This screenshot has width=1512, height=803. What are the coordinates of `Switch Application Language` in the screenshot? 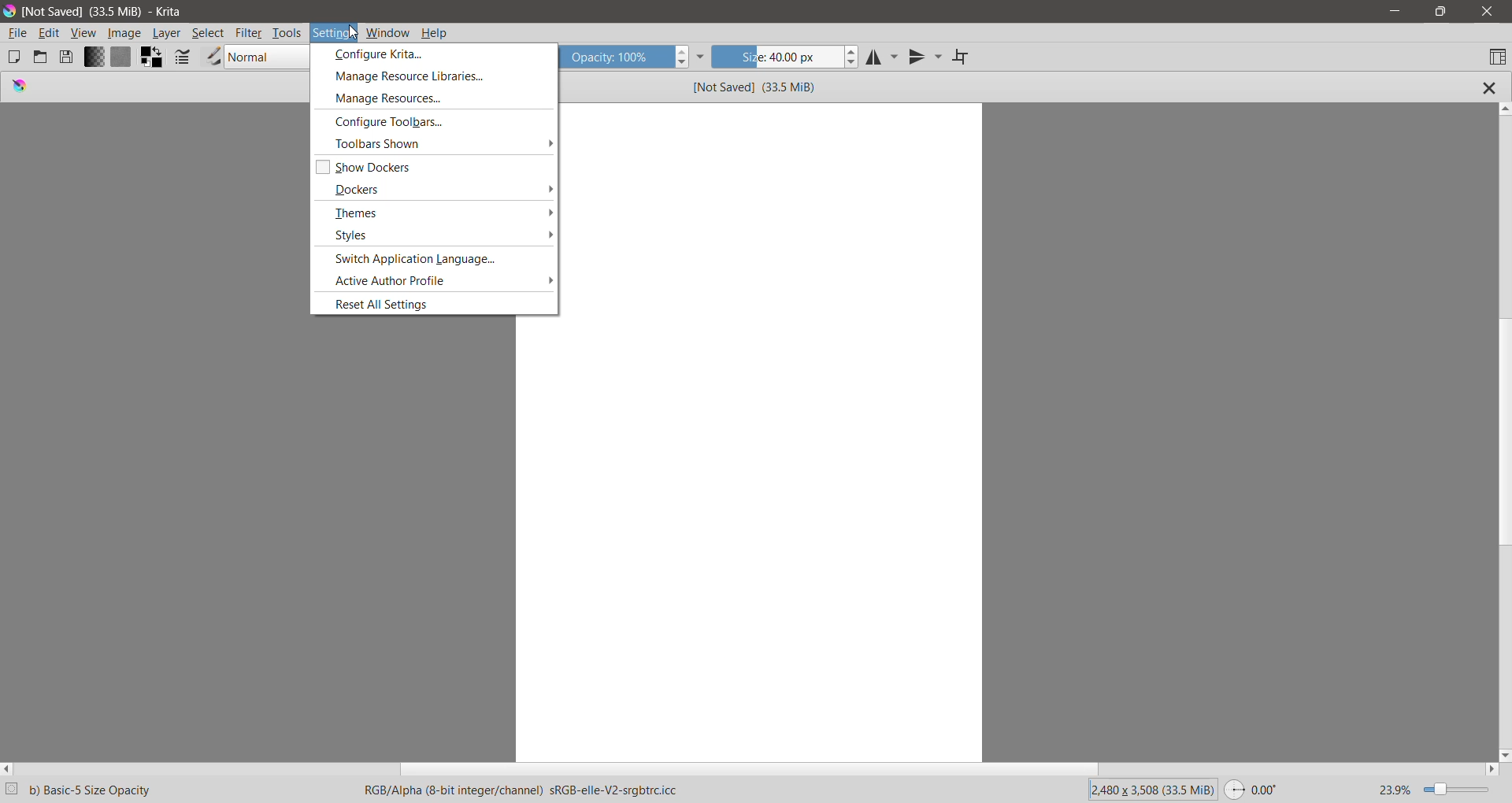 It's located at (420, 259).